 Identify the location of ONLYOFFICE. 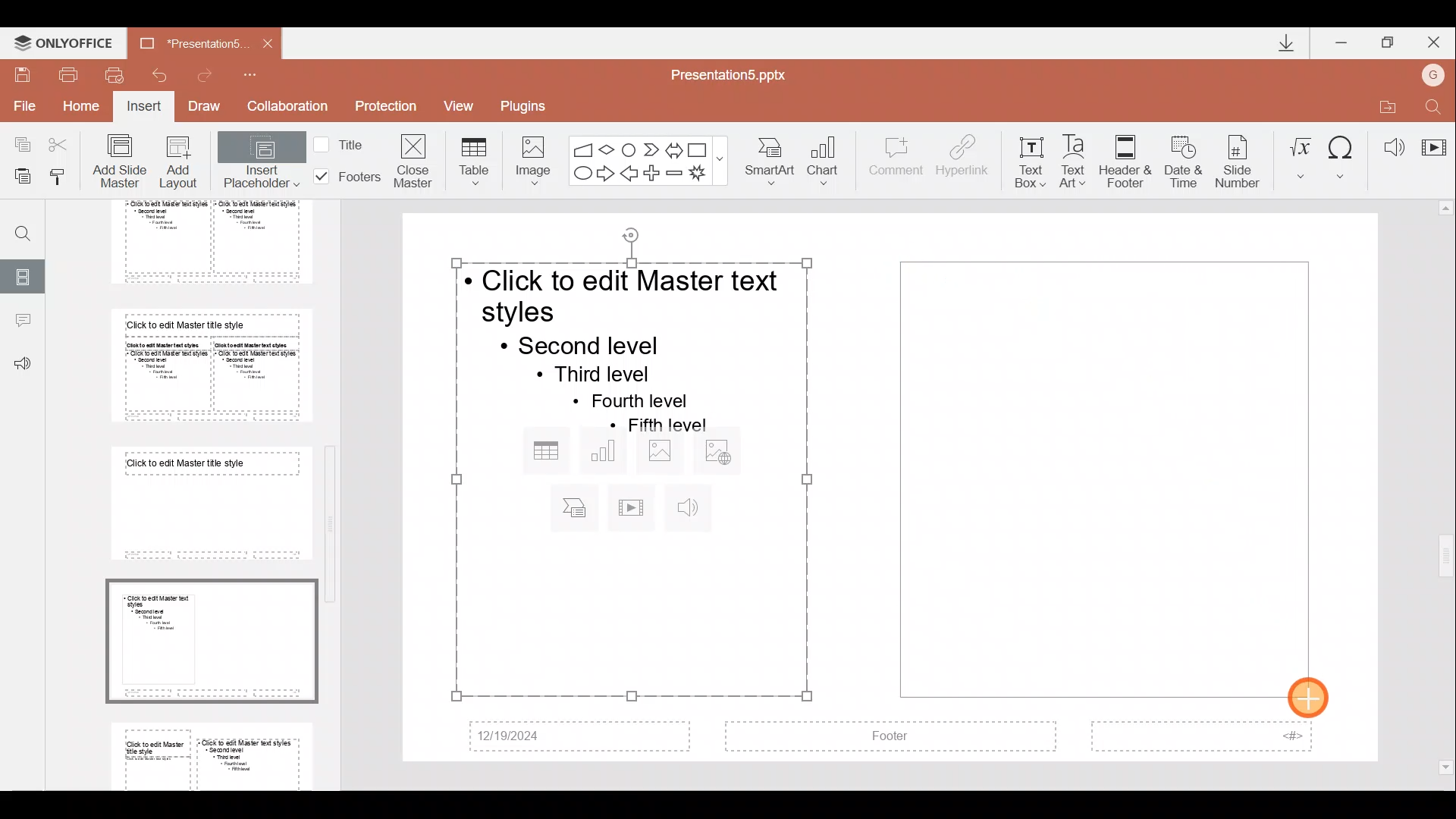
(63, 39).